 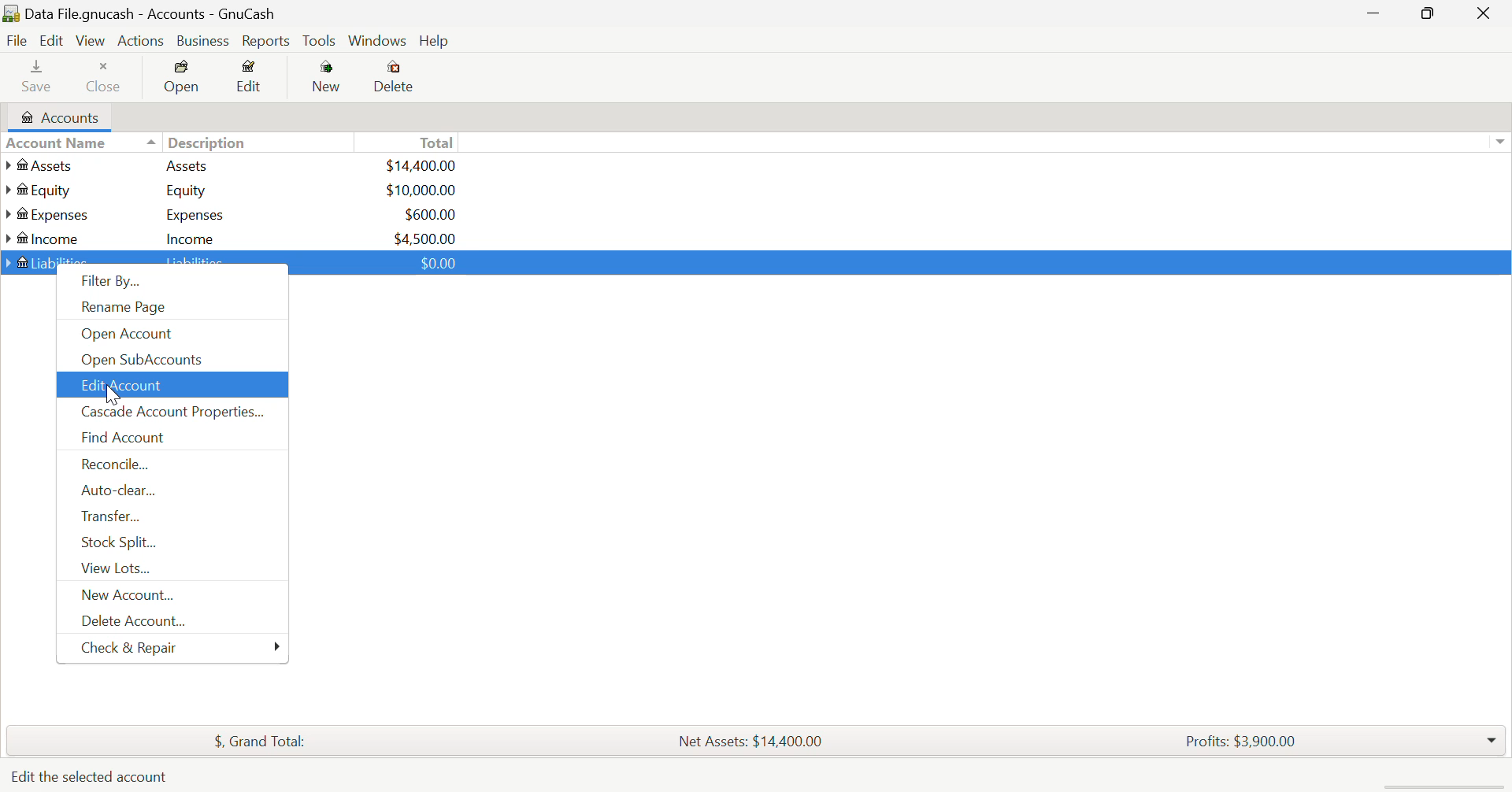 I want to click on Account Column Heading, so click(x=60, y=144).